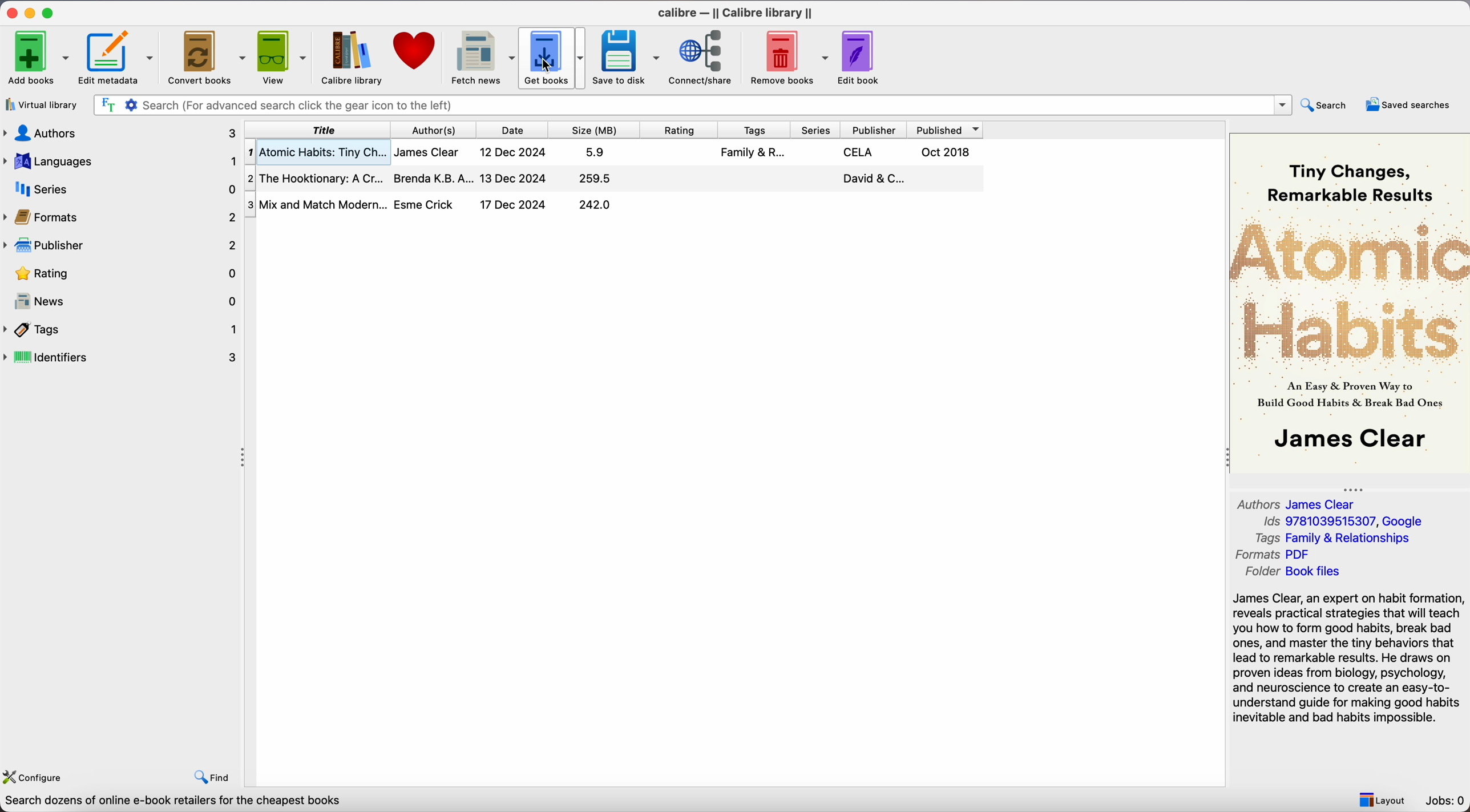  What do you see at coordinates (551, 58) in the screenshot?
I see `click on get books` at bounding box center [551, 58].